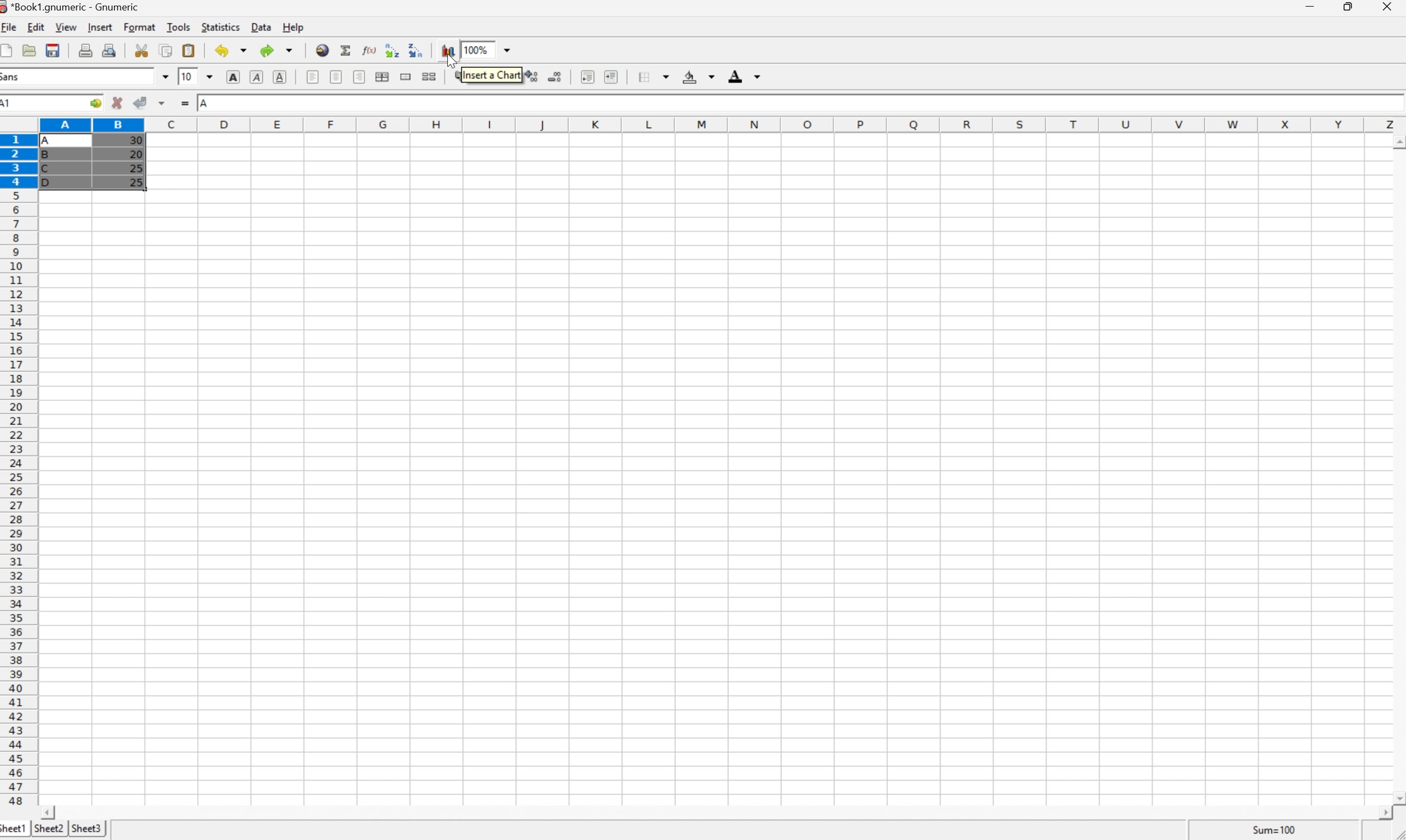 This screenshot has height=840, width=1406. I want to click on Minimize, so click(1310, 6).